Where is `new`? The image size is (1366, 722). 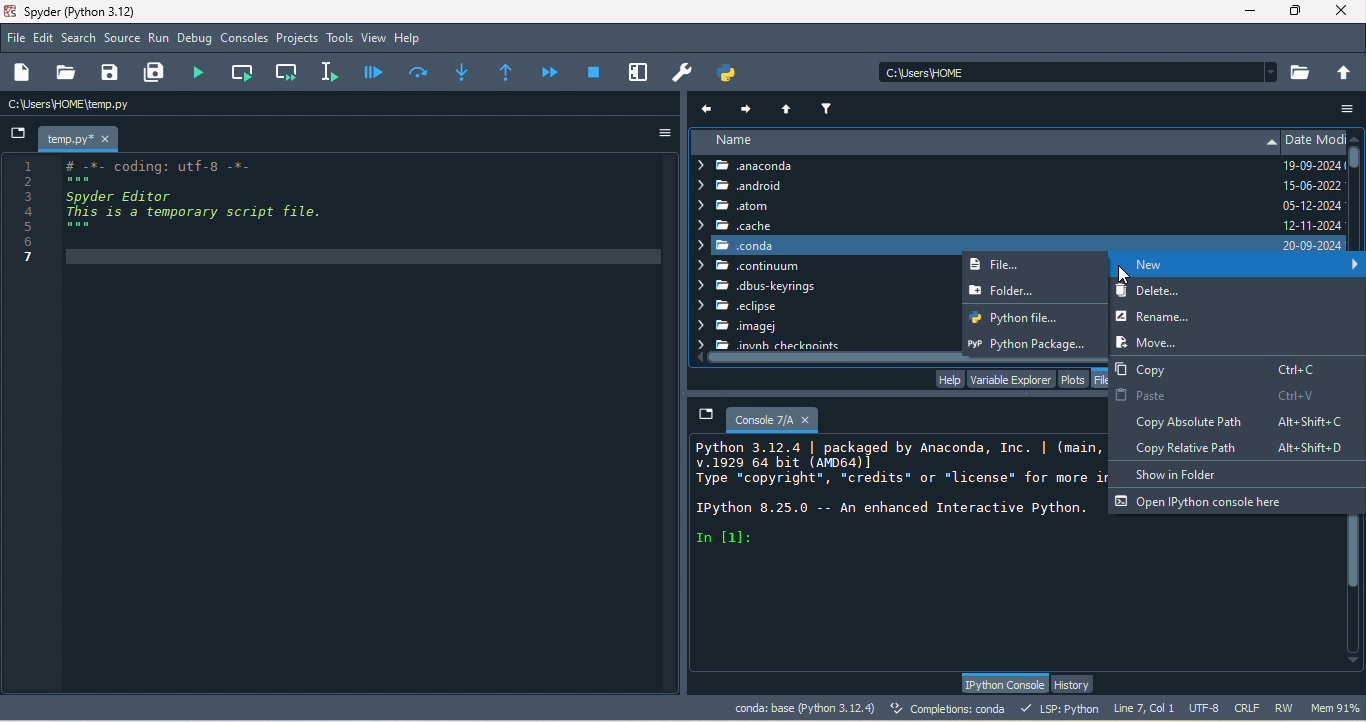 new is located at coordinates (1238, 267).